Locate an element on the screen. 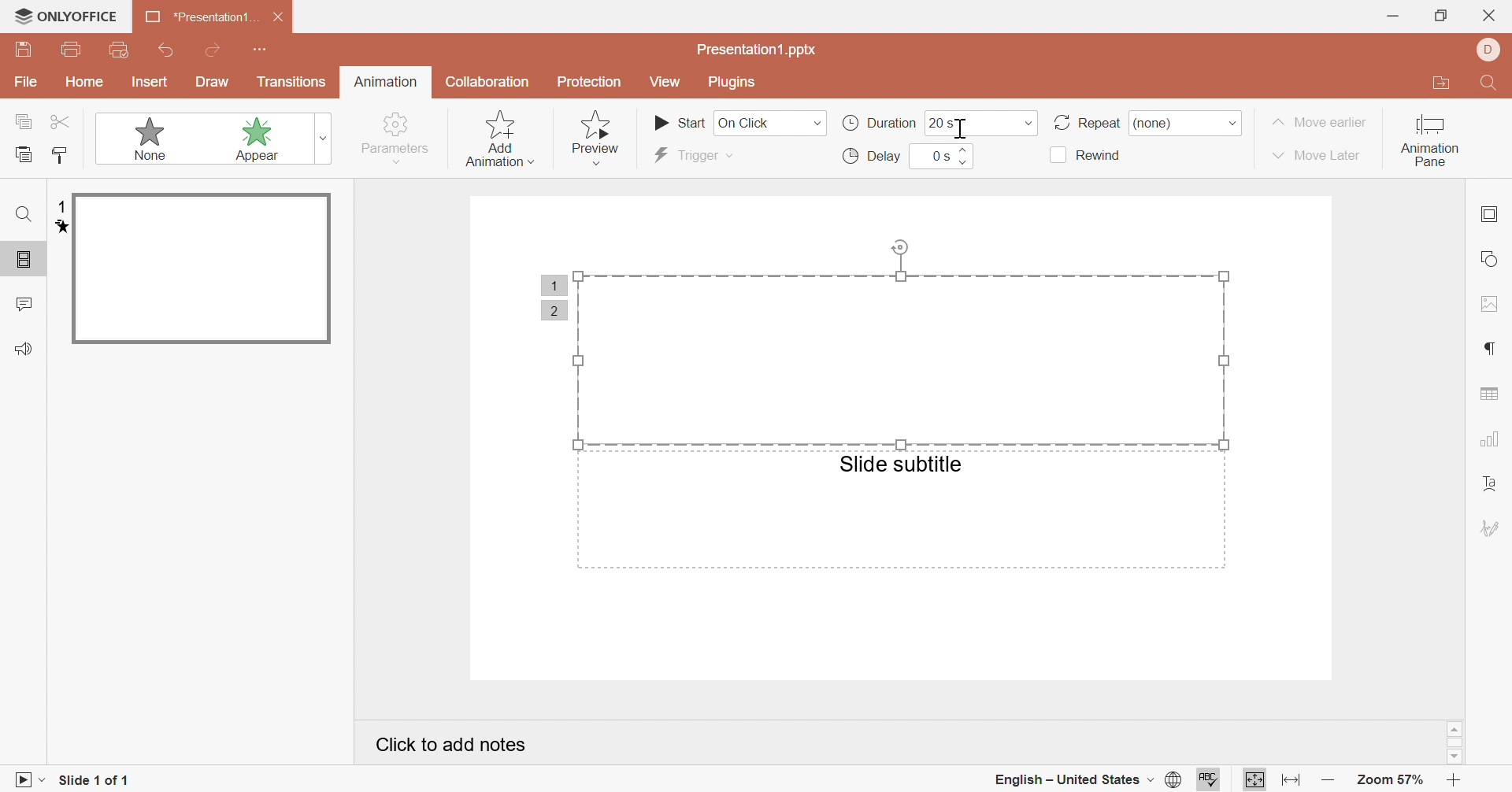 This screenshot has width=1512, height=792. spell checking is located at coordinates (1212, 783).